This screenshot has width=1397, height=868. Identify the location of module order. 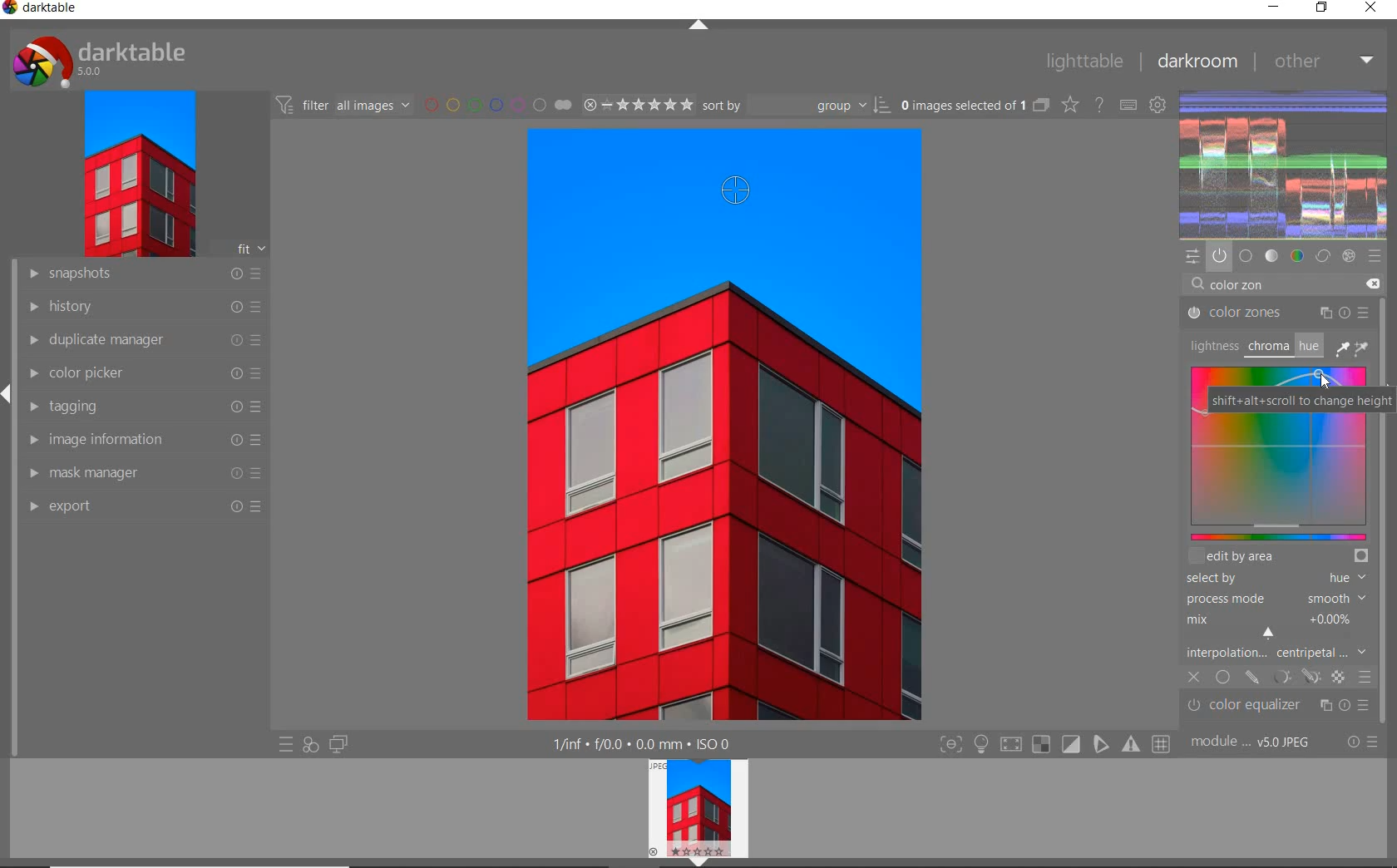
(1255, 743).